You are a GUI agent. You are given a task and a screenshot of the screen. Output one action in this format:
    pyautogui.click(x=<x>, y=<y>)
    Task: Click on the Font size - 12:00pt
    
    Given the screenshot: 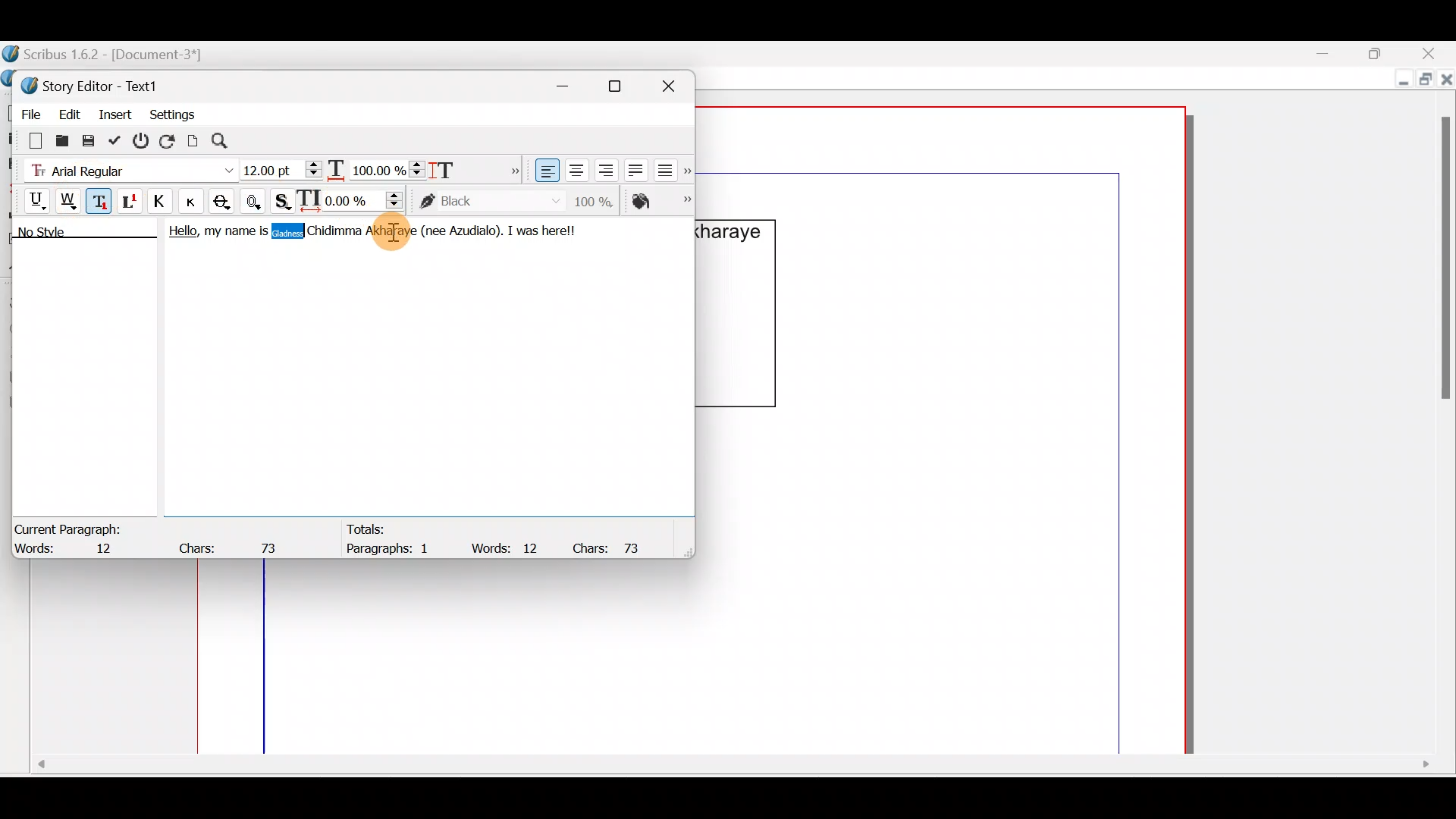 What is the action you would take?
    pyautogui.click(x=283, y=170)
    